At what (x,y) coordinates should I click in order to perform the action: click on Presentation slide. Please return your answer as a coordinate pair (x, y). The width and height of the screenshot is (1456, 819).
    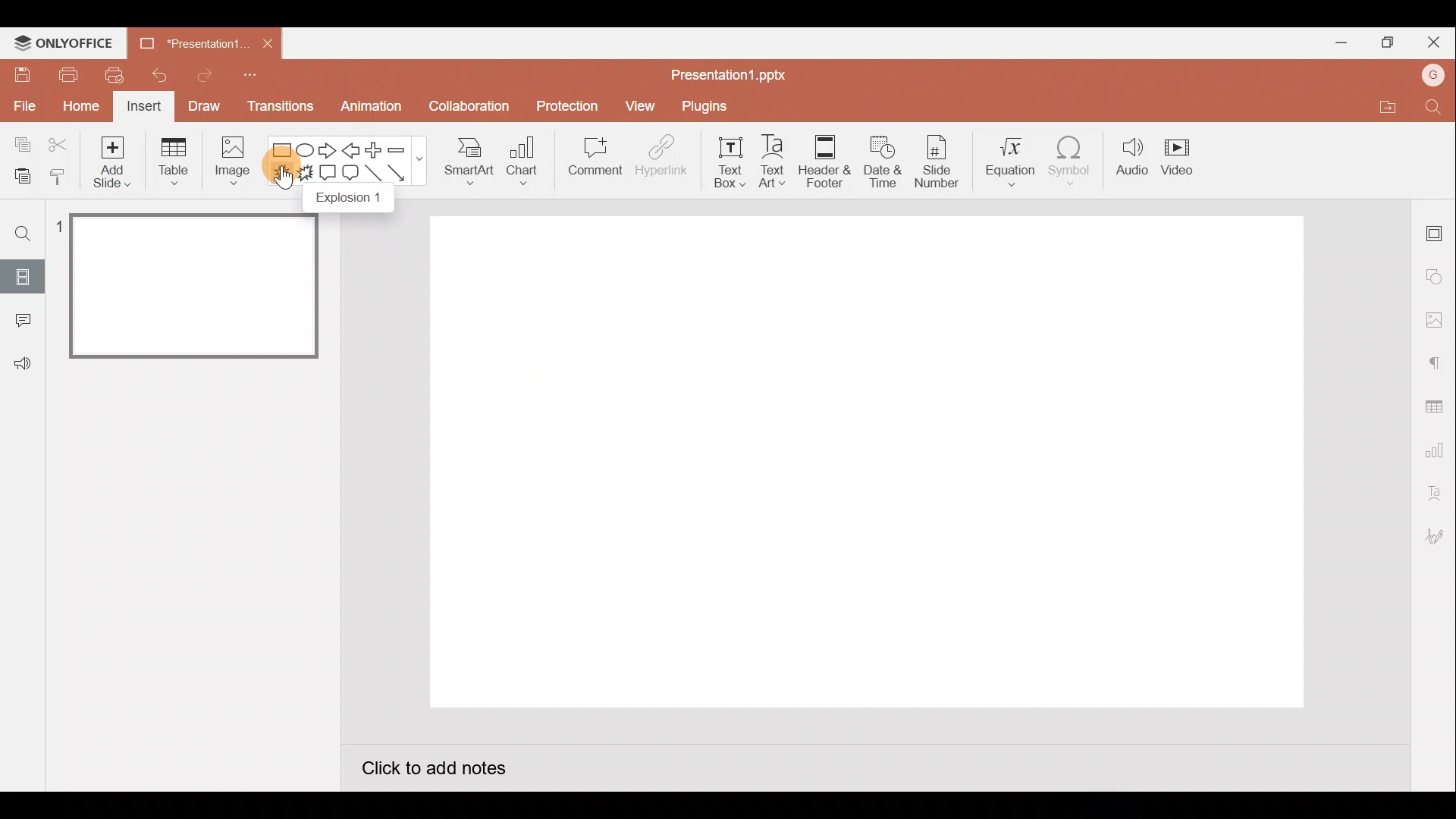
    Looking at the image, I should click on (873, 467).